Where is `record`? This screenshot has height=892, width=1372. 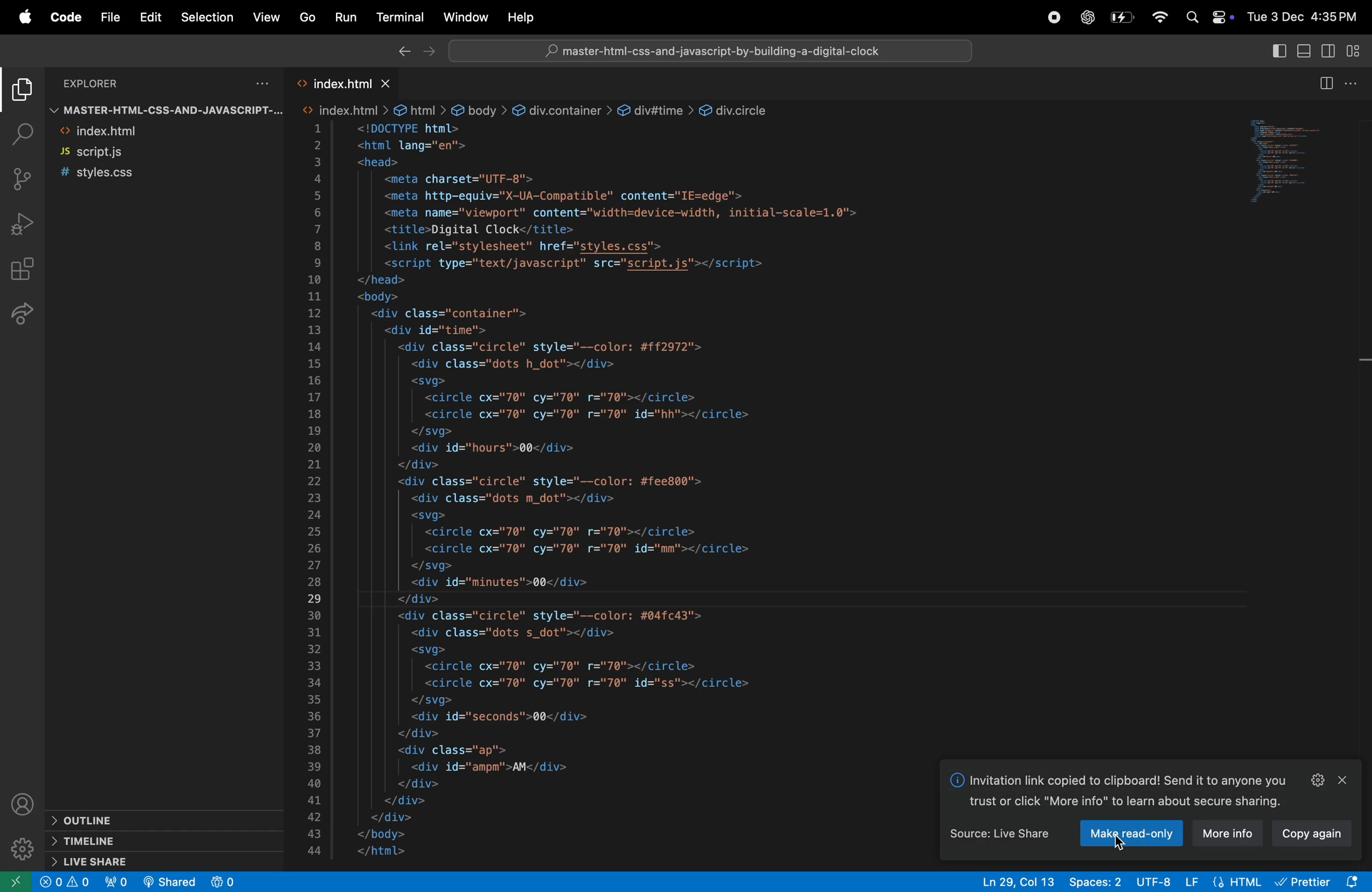
record is located at coordinates (1053, 17).